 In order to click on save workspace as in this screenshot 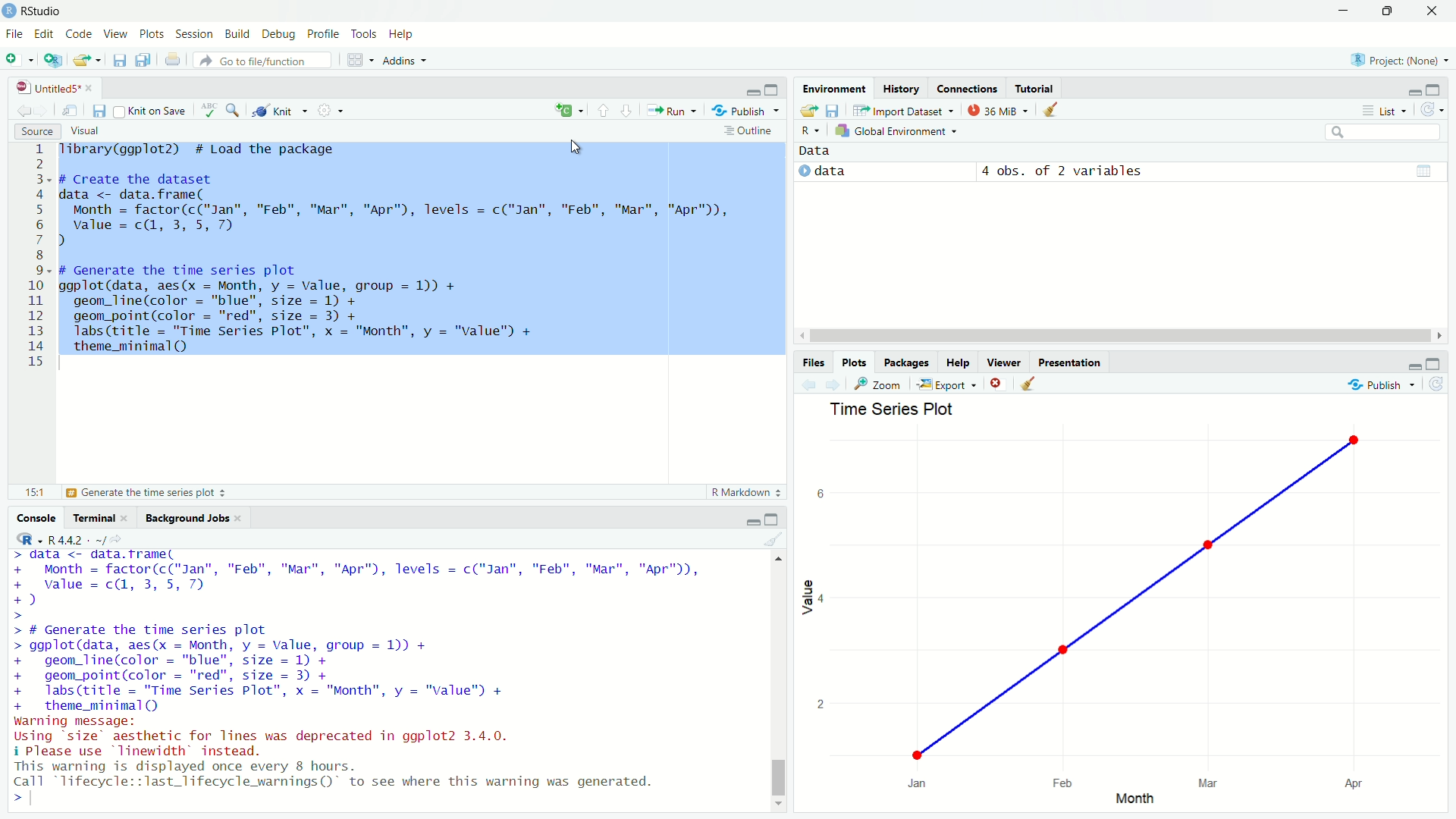, I will do `click(835, 111)`.